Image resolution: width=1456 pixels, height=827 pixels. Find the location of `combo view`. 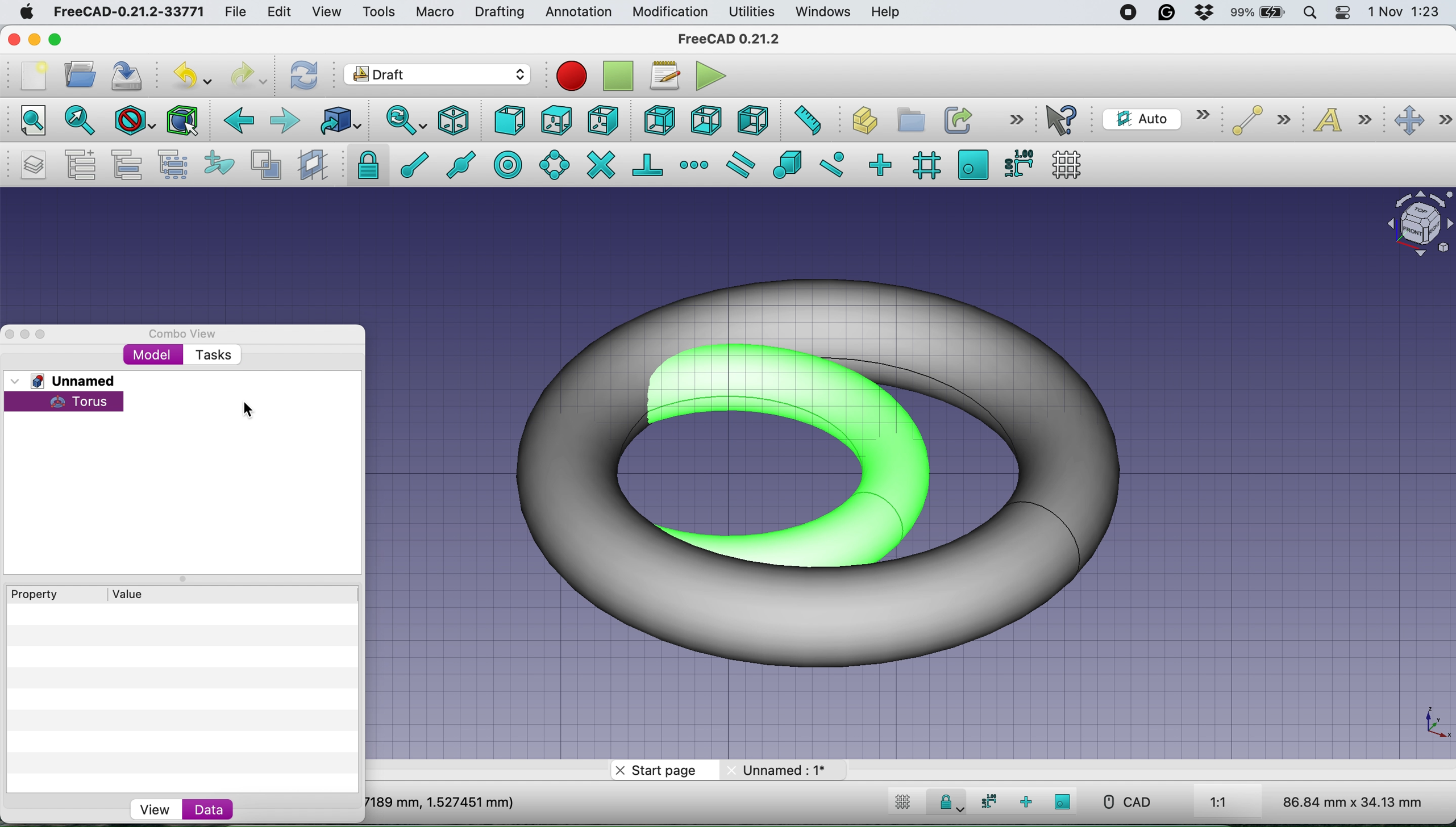

combo view is located at coordinates (190, 335).